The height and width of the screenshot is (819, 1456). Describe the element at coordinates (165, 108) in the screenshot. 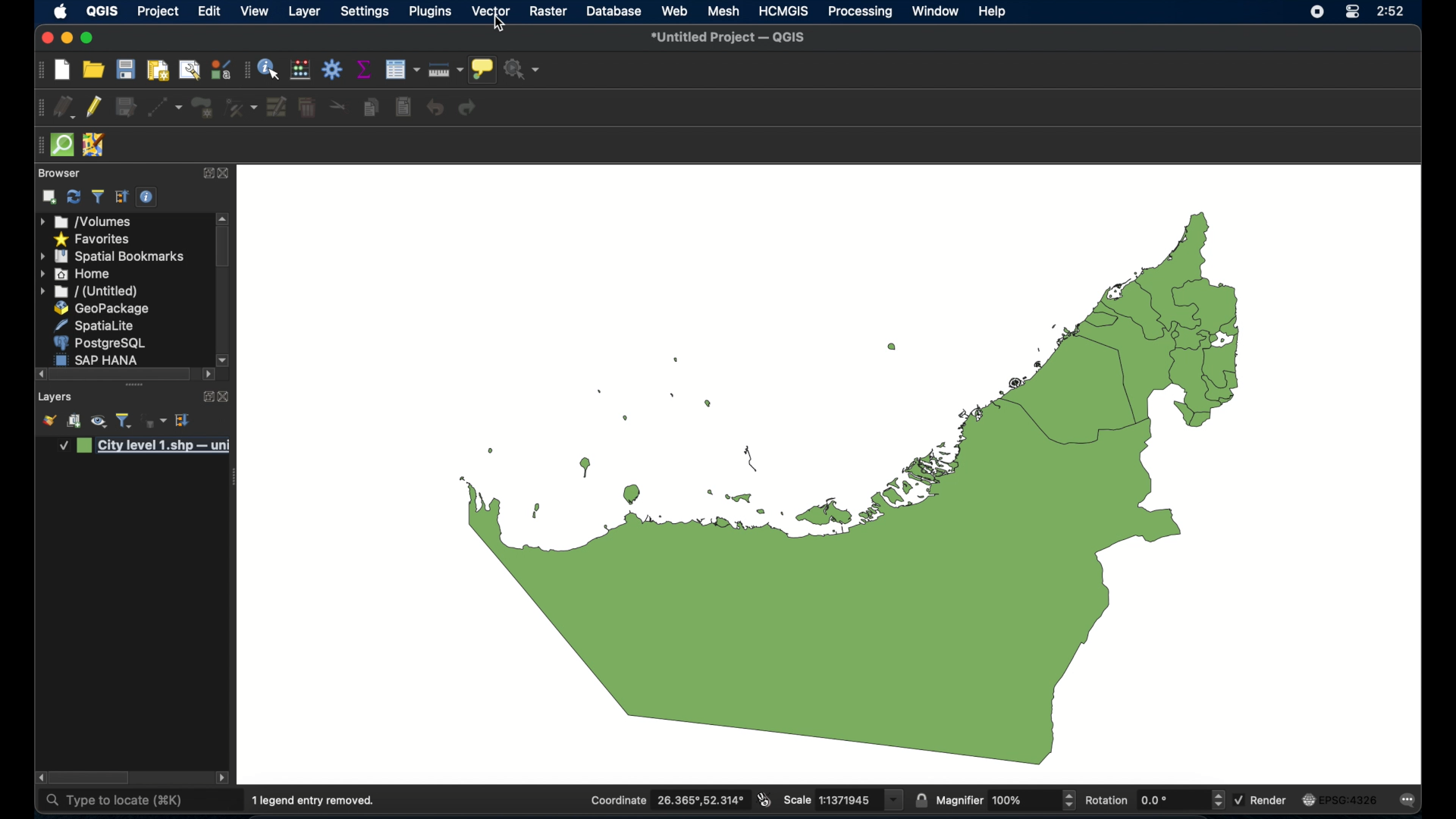

I see `digitize with segment` at that location.